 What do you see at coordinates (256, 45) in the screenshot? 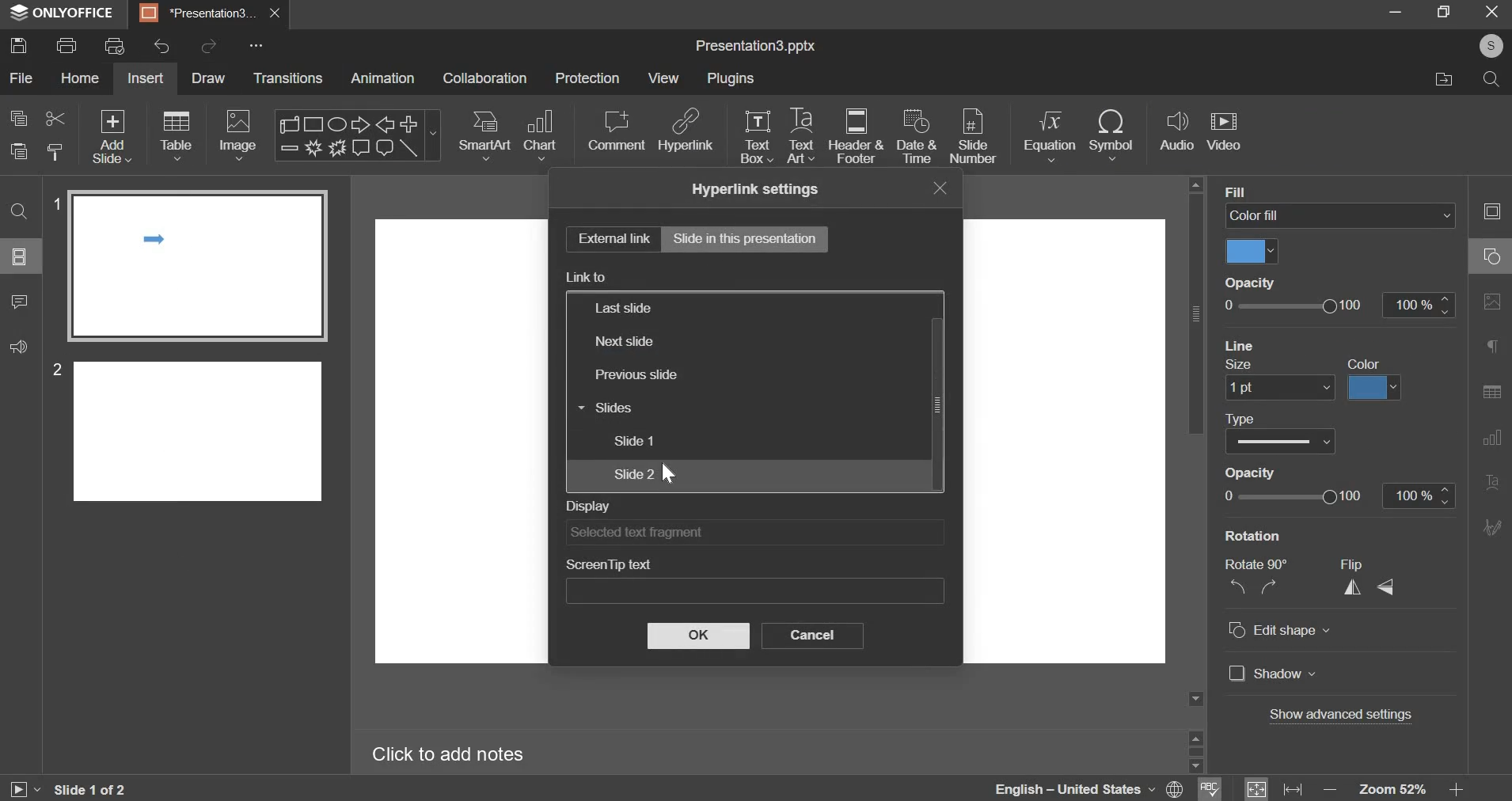
I see `customize quick access` at bounding box center [256, 45].